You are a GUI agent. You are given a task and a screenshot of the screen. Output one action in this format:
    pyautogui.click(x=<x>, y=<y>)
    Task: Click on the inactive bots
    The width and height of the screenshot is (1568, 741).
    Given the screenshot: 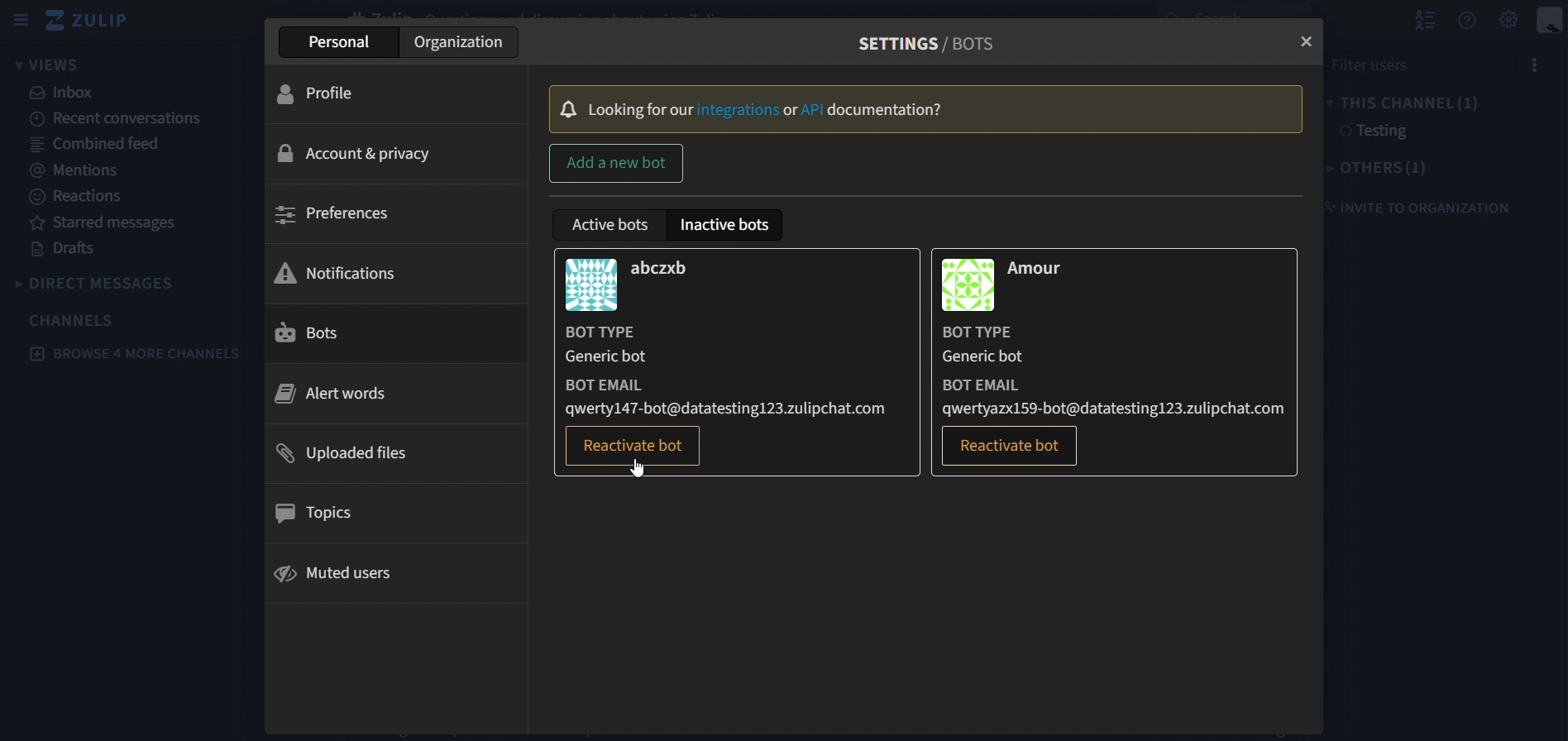 What is the action you would take?
    pyautogui.click(x=726, y=227)
    